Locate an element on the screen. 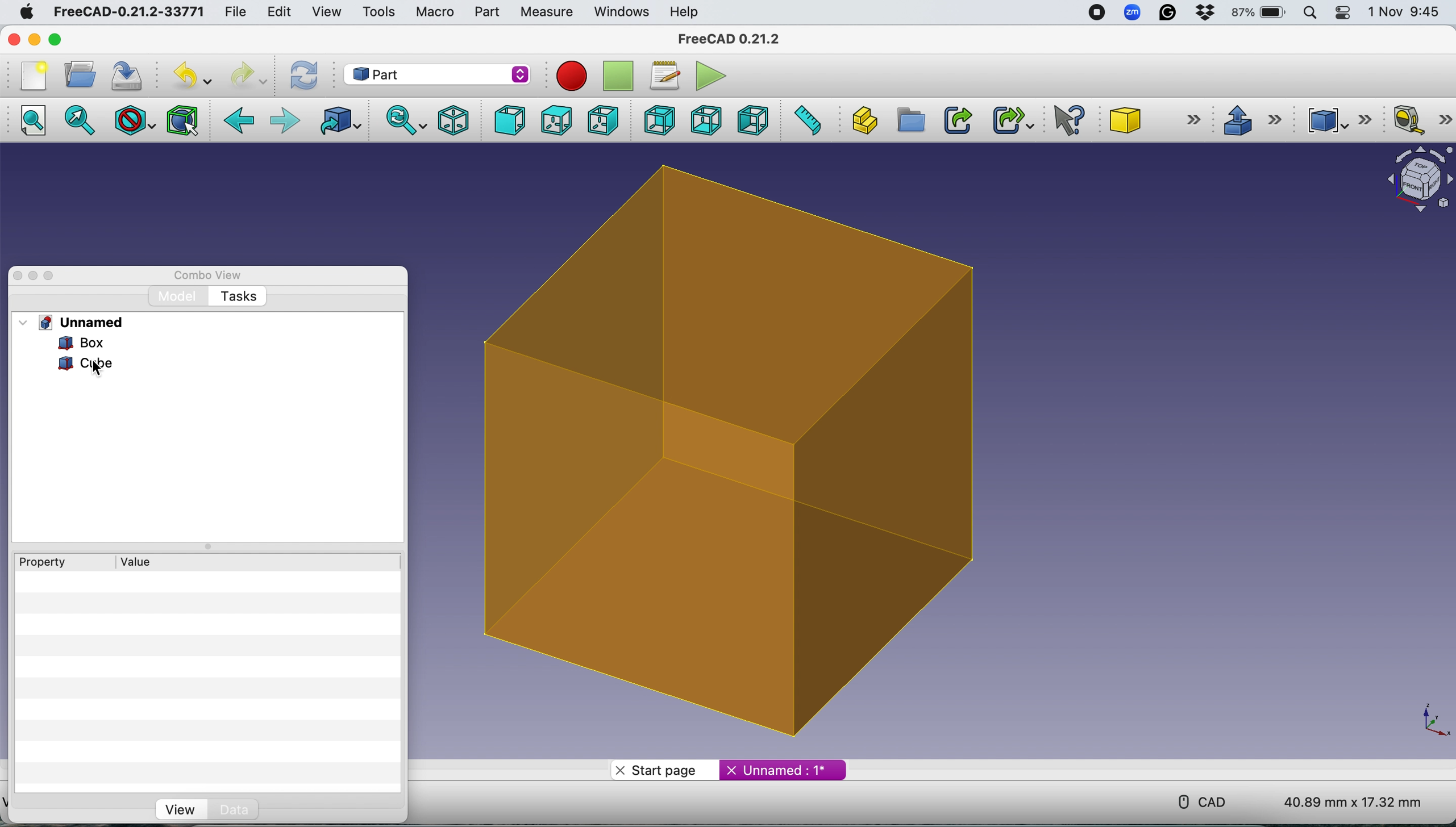 This screenshot has height=827, width=1456. Macros is located at coordinates (668, 76).